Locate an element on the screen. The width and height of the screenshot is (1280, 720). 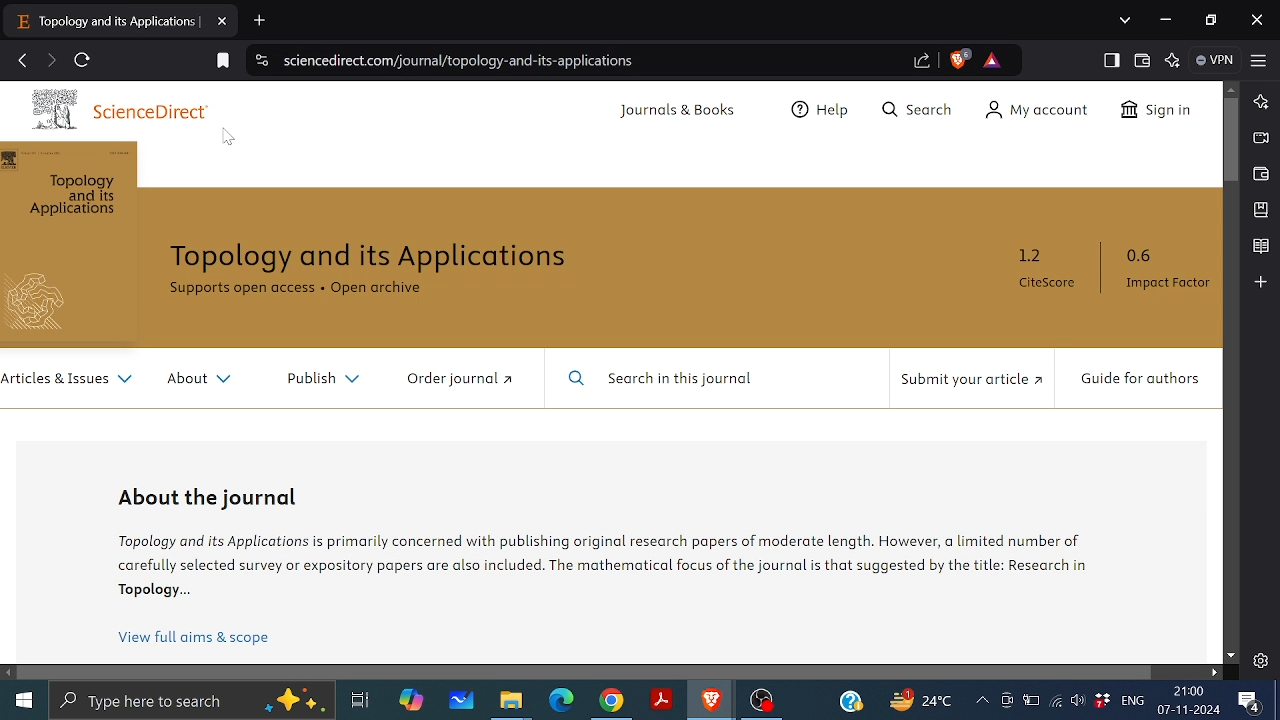
Time and date is located at coordinates (1190, 702).